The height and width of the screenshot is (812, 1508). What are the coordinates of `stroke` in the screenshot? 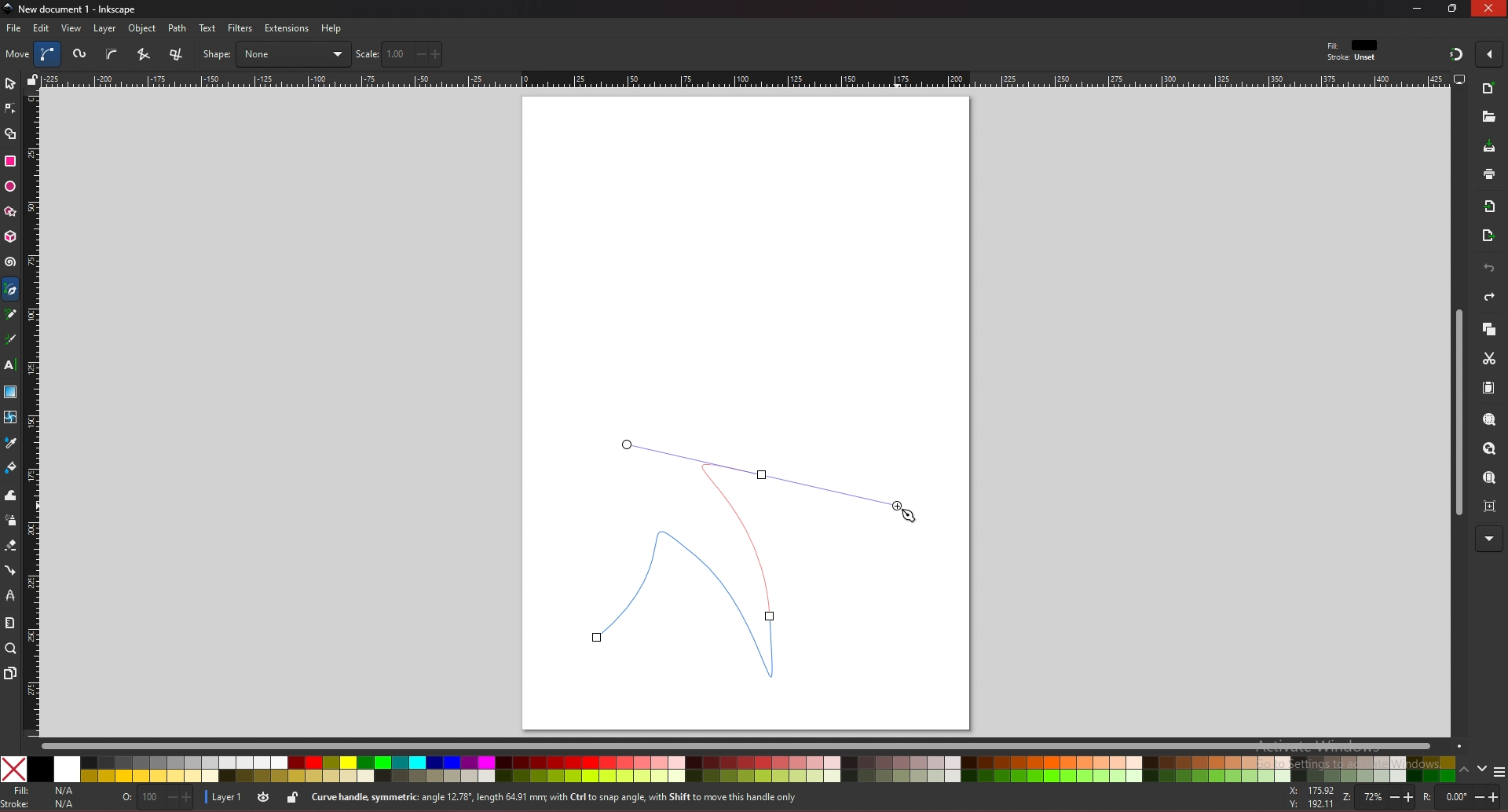 It's located at (42, 804).